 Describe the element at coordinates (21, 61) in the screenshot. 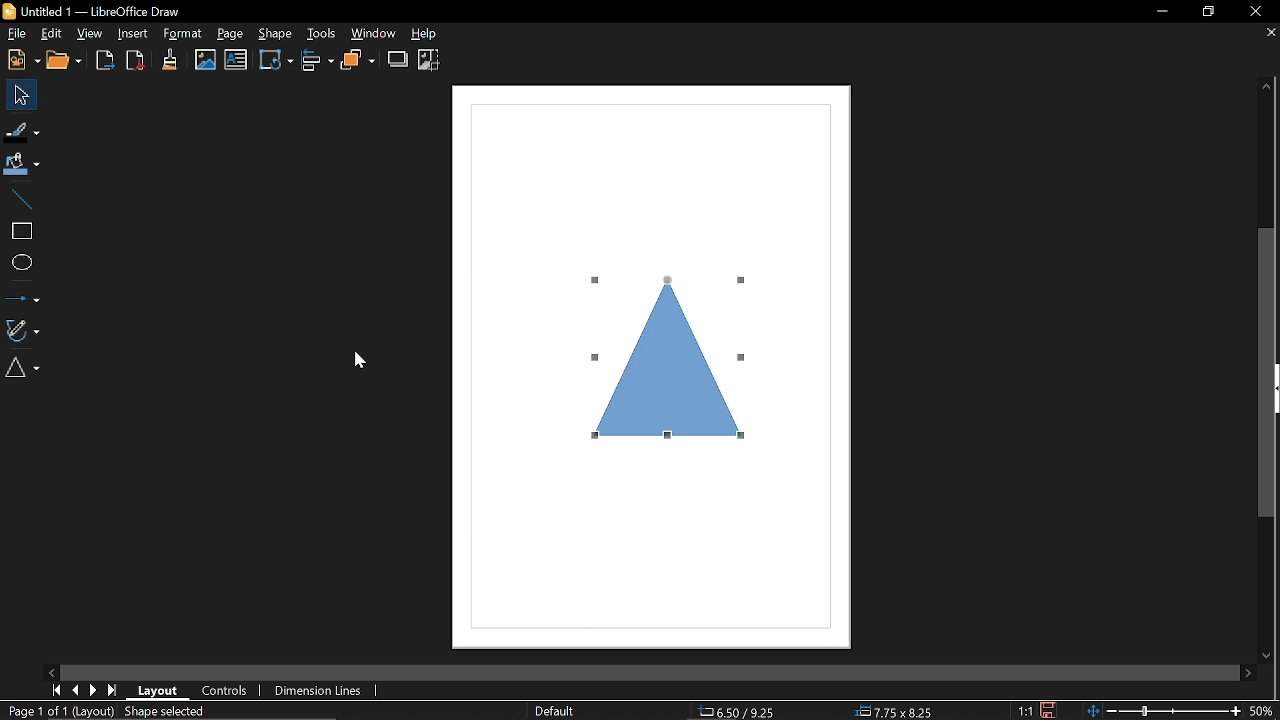

I see `New` at that location.